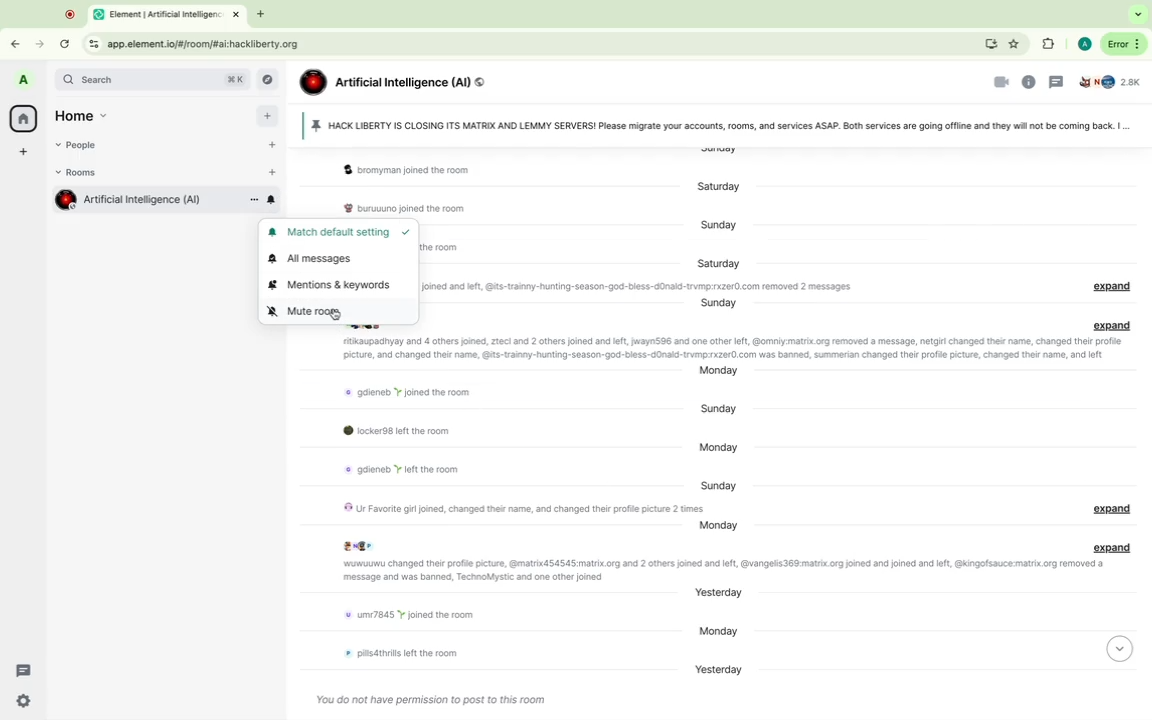 This screenshot has height=720, width=1152. What do you see at coordinates (717, 633) in the screenshot?
I see `Day` at bounding box center [717, 633].